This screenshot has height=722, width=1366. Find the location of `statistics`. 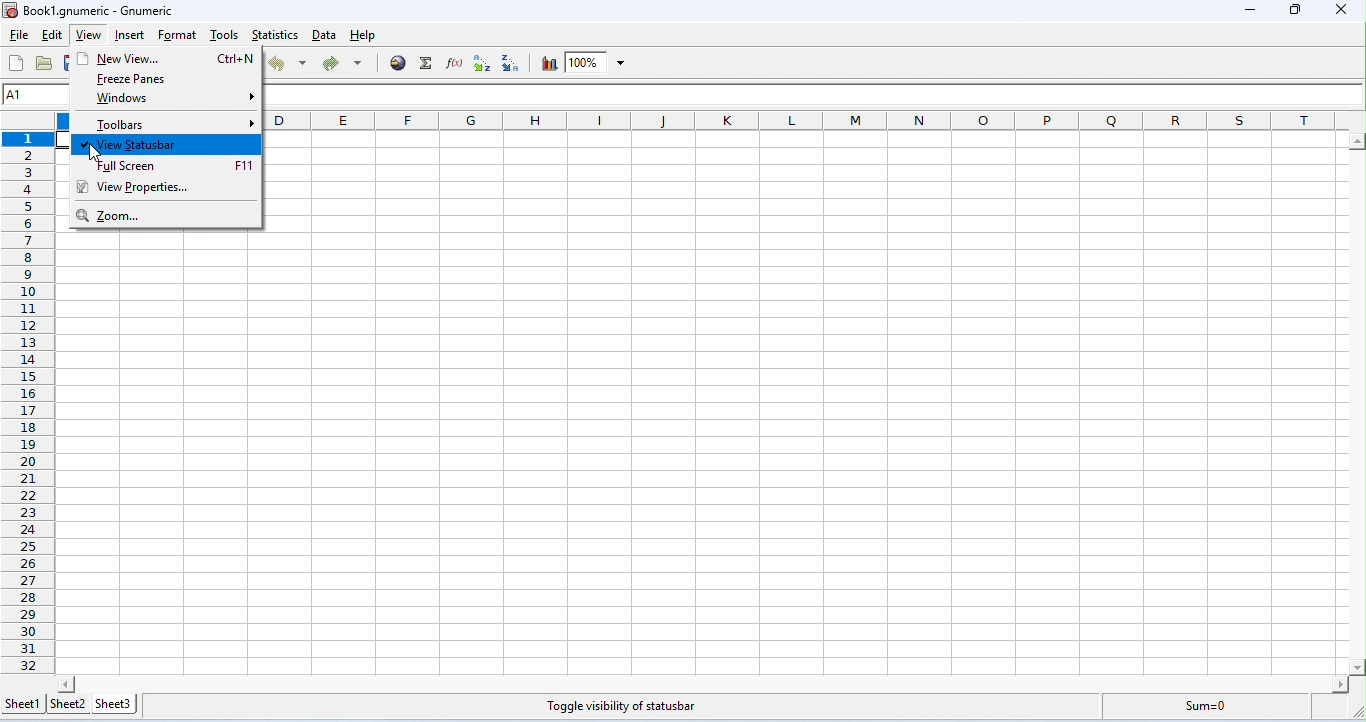

statistics is located at coordinates (276, 35).